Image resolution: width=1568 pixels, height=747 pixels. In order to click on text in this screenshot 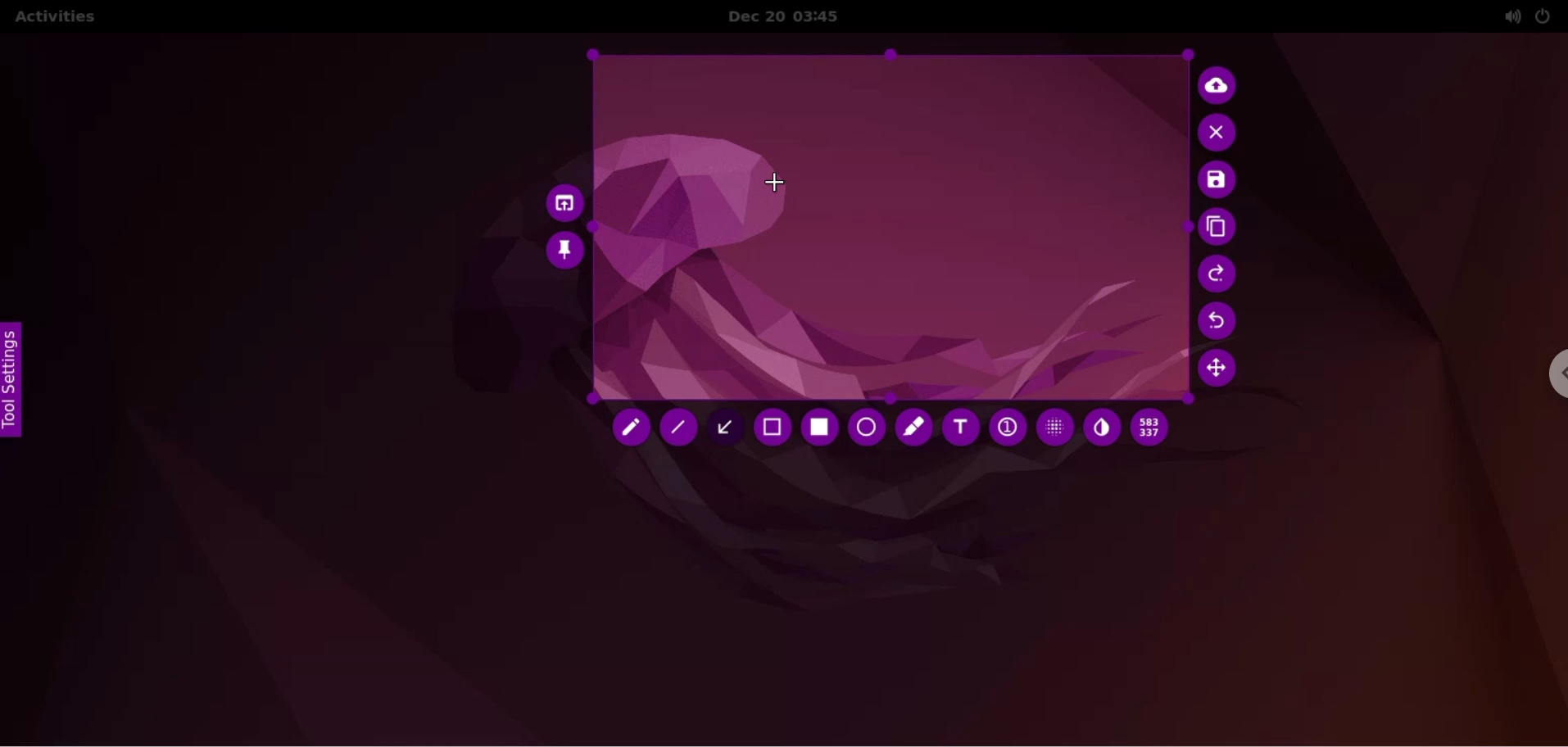, I will do `click(961, 431)`.